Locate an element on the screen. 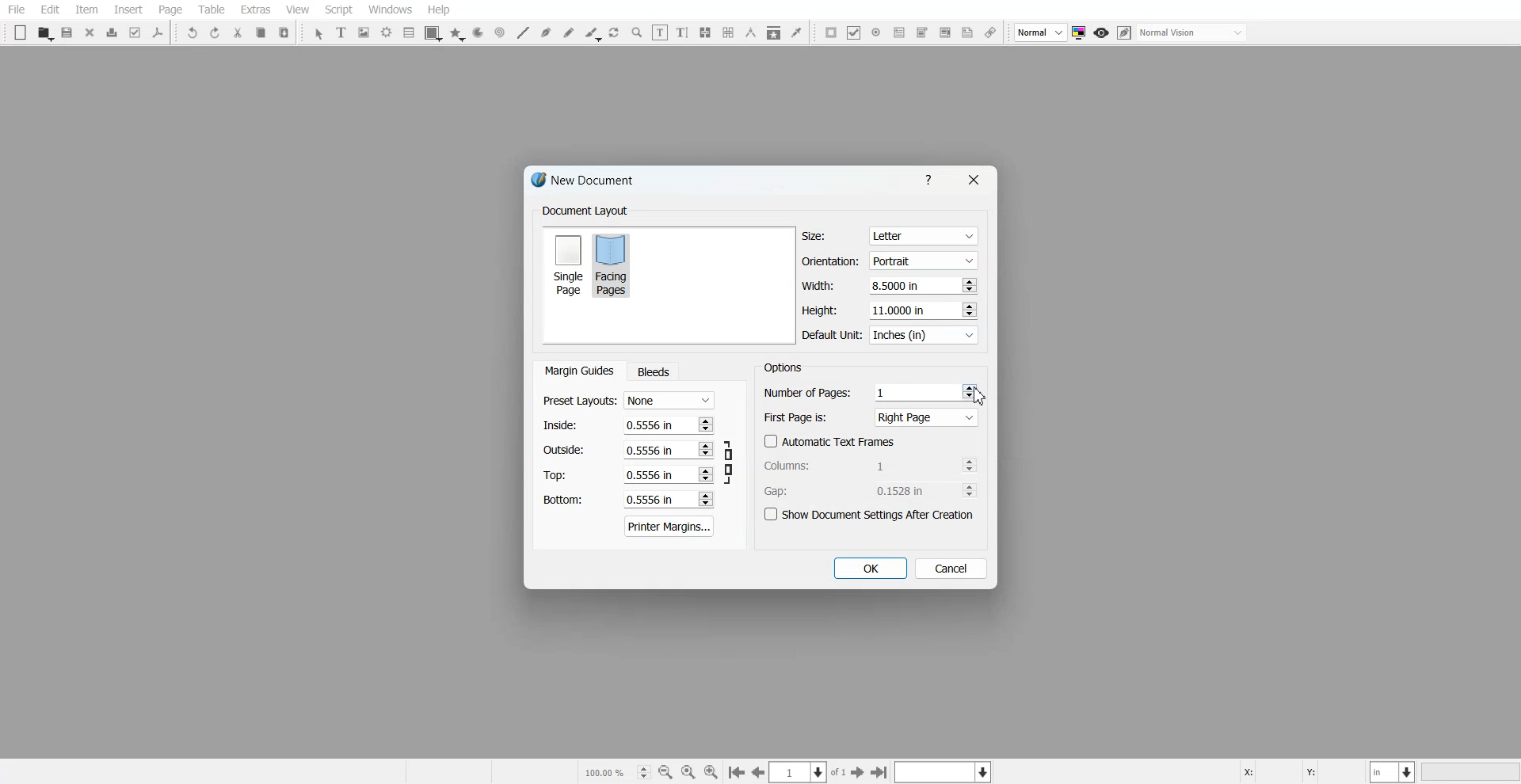  Increase and decrease No.  is located at coordinates (967, 310).